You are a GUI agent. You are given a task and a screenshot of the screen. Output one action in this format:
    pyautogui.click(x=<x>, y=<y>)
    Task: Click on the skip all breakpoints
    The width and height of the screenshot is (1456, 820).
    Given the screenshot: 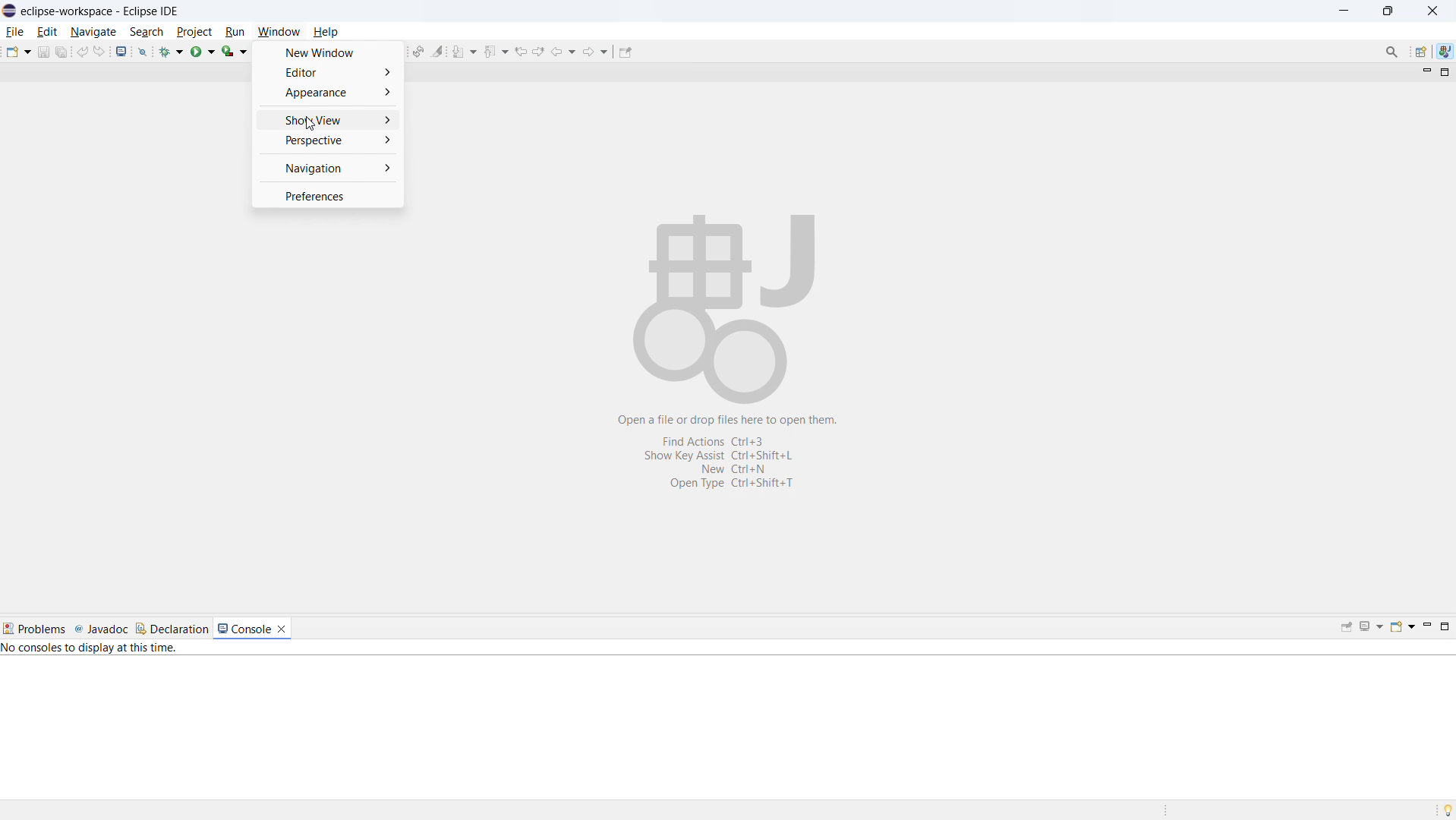 What is the action you would take?
    pyautogui.click(x=143, y=51)
    